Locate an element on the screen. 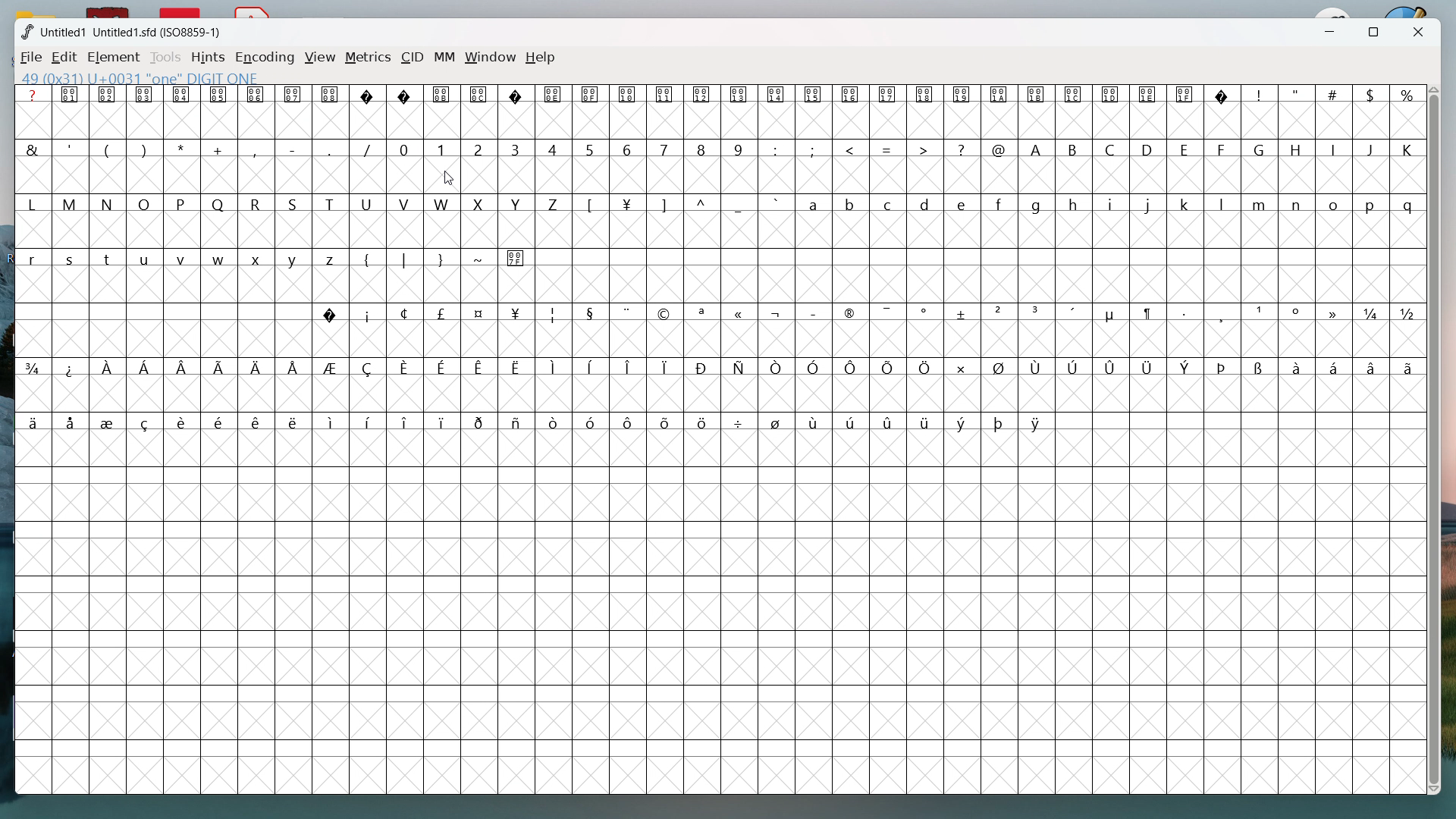 This screenshot has height=819, width=1456. symbol is located at coordinates (1189, 367).